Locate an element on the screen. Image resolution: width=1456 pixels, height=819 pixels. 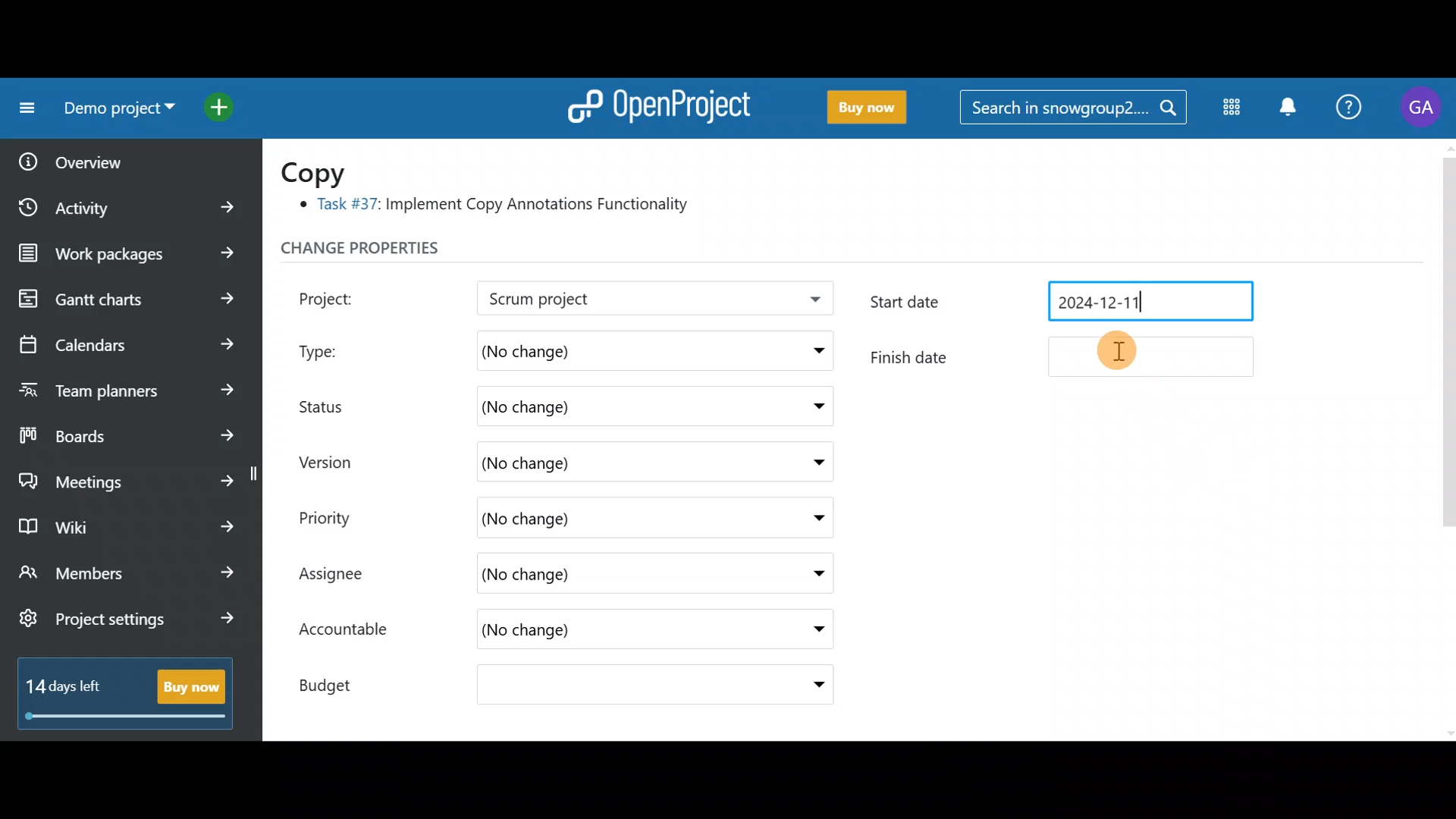
Cursor is located at coordinates (1127, 351).